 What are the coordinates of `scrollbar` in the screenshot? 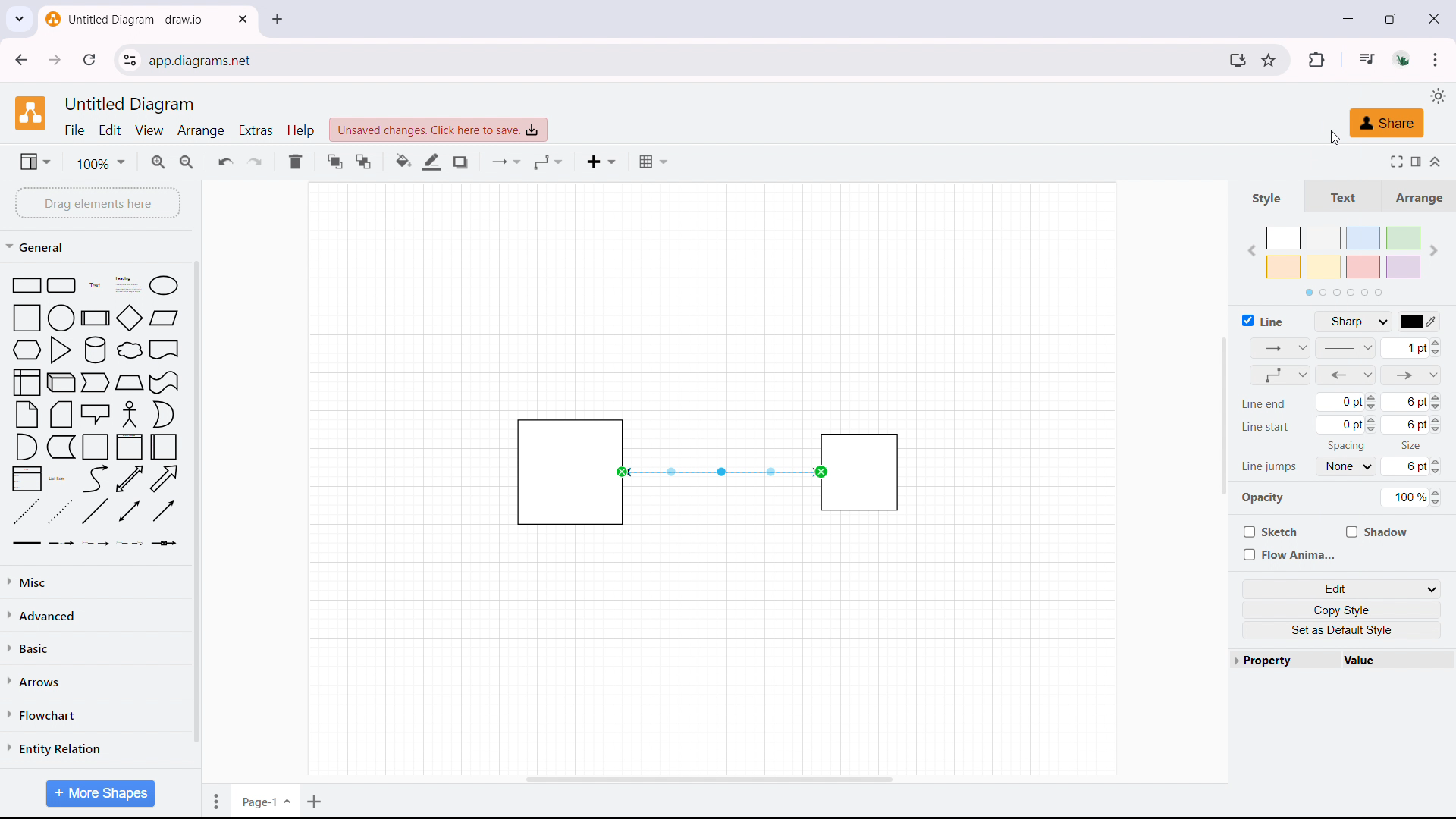 It's located at (196, 504).